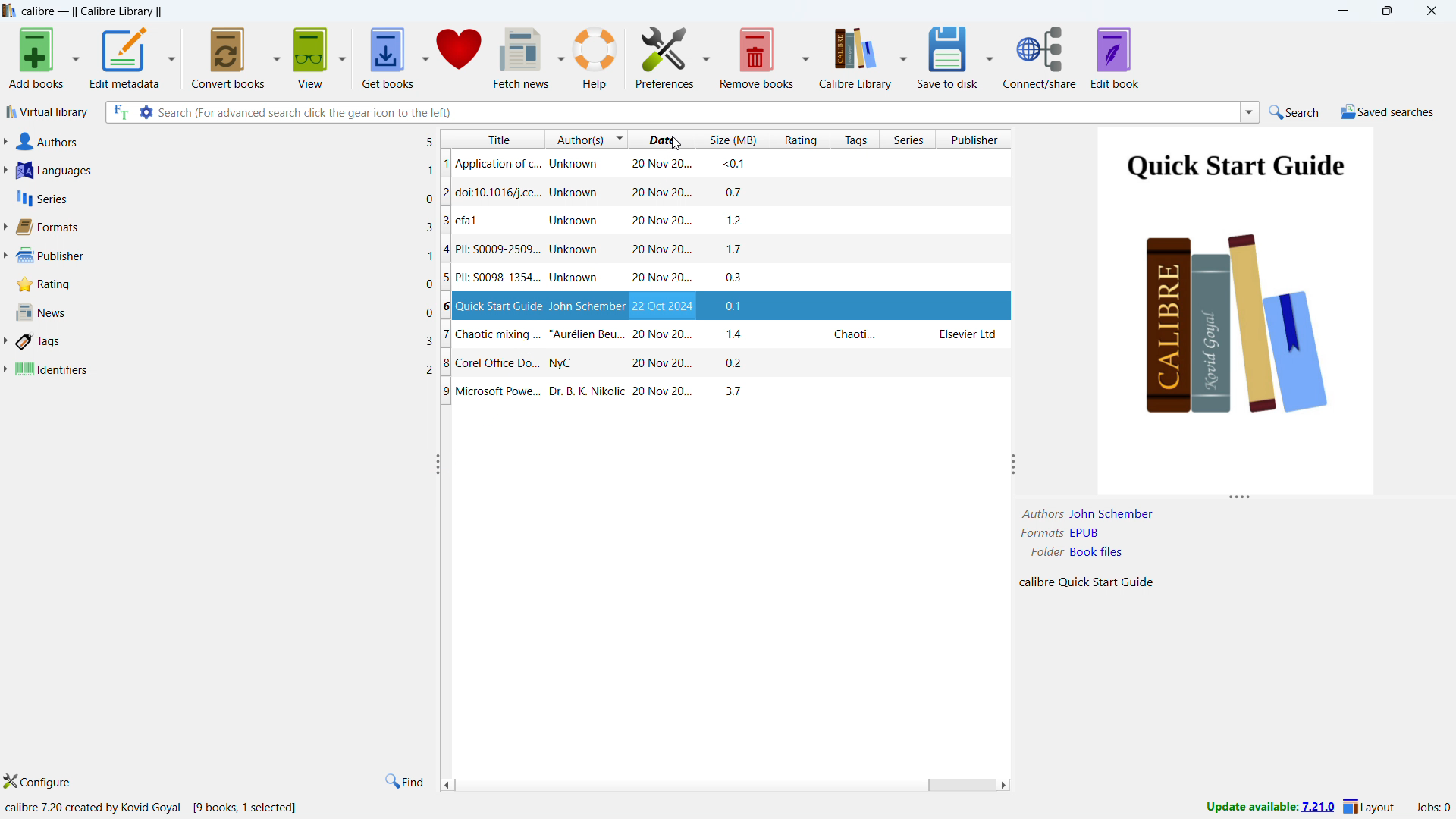  I want to click on saved searches , so click(1389, 111).